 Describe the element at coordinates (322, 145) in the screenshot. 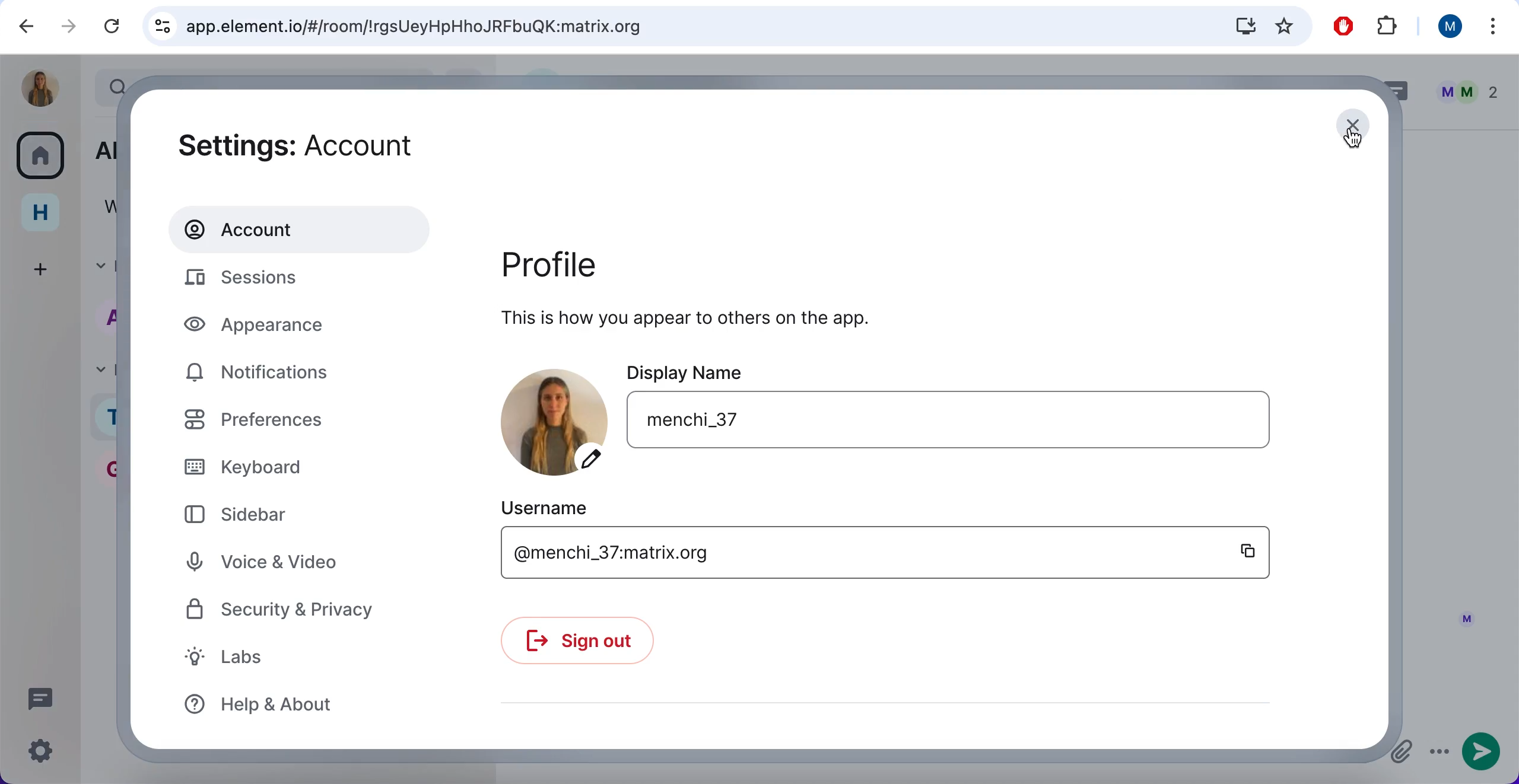

I see `settings: account` at that location.